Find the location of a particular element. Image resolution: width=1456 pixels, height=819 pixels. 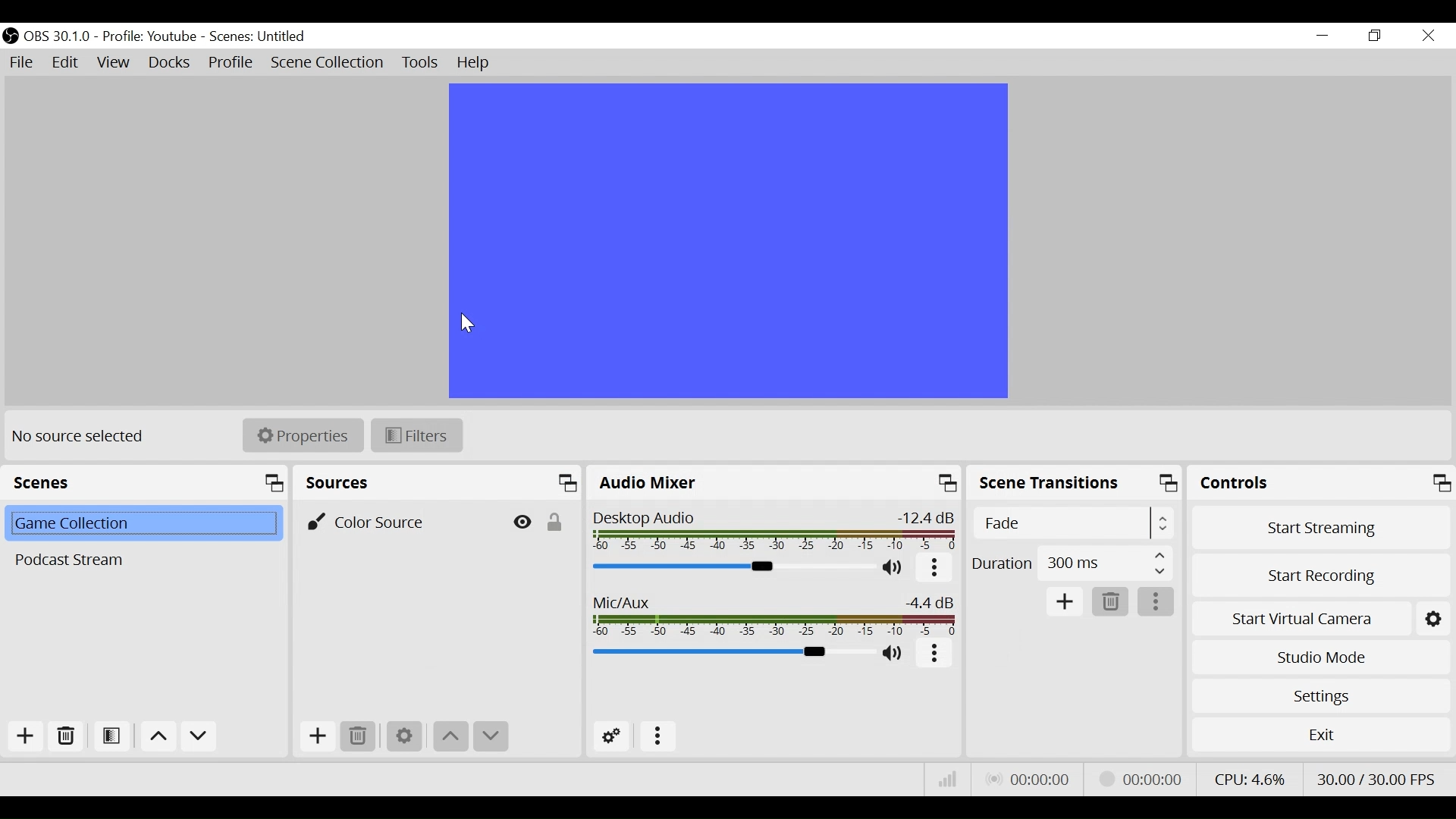

minimize is located at coordinates (1321, 35).